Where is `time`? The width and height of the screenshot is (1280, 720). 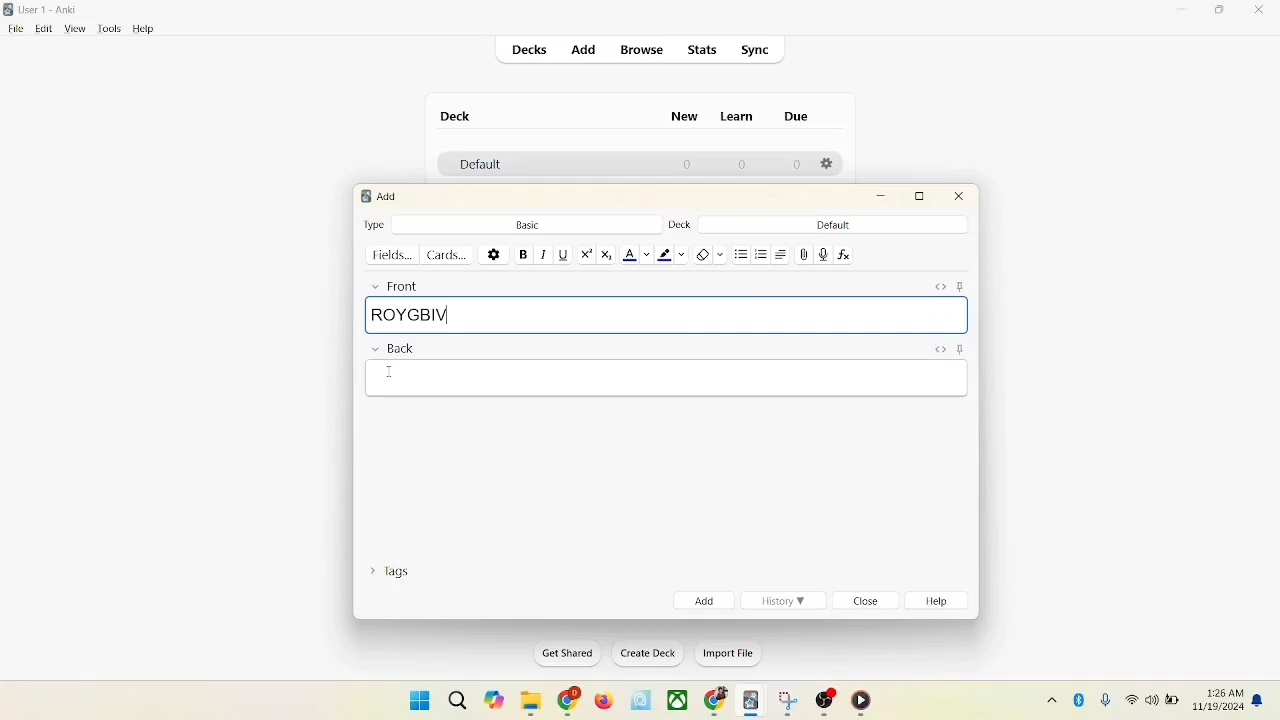 time is located at coordinates (1221, 690).